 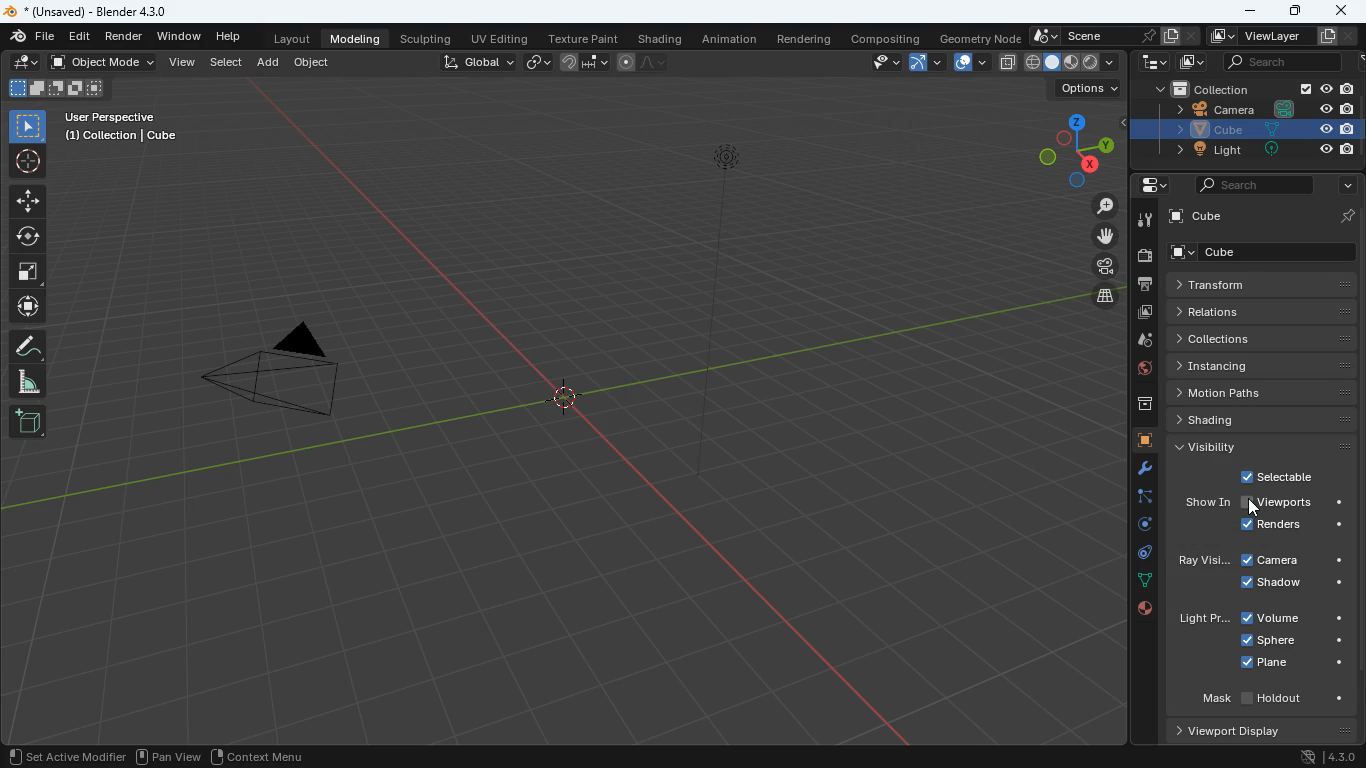 What do you see at coordinates (1146, 313) in the screenshot?
I see `image` at bounding box center [1146, 313].